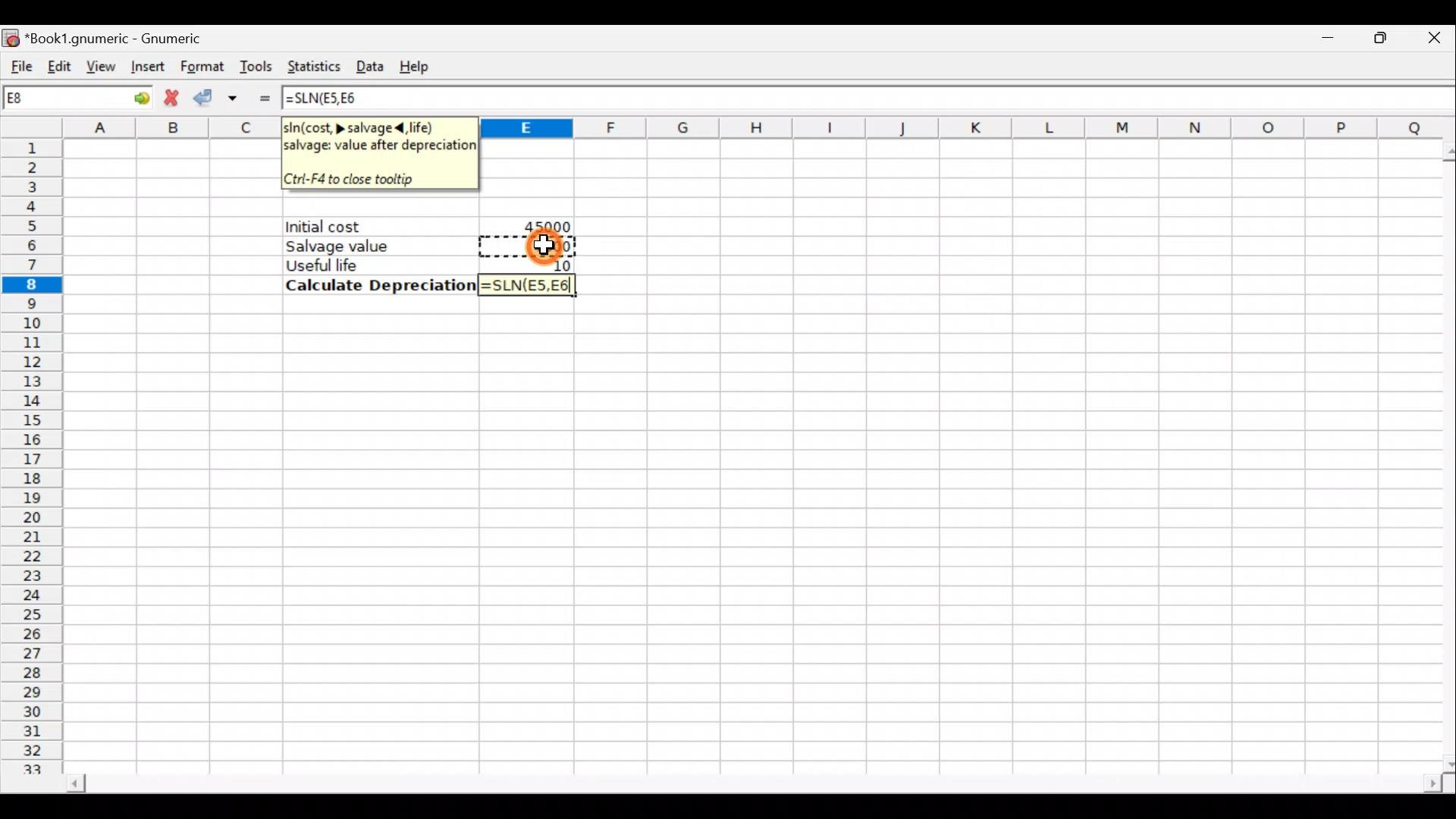 The image size is (1456, 819). I want to click on Cancel change, so click(172, 98).